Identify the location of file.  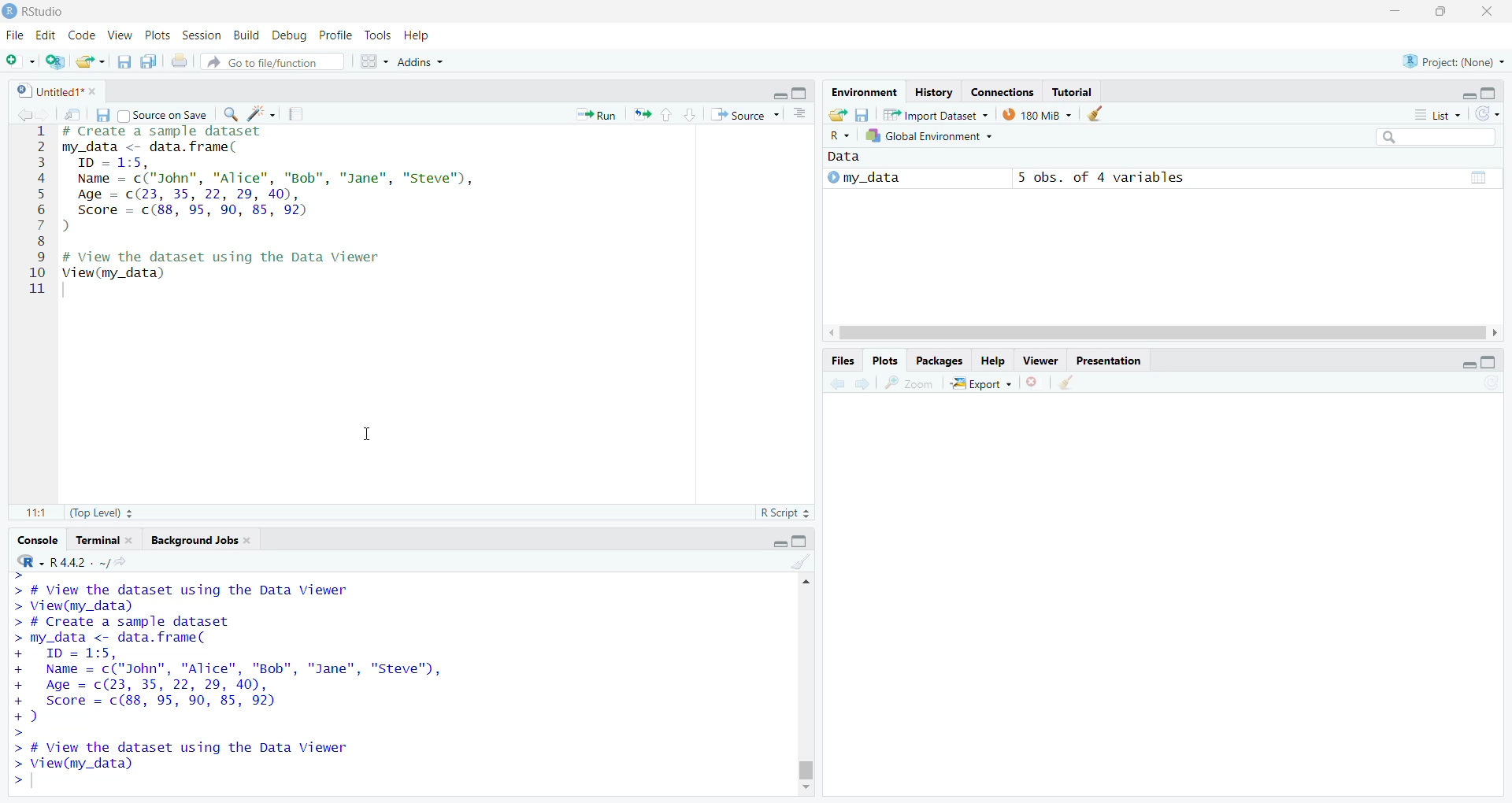
(15, 37).